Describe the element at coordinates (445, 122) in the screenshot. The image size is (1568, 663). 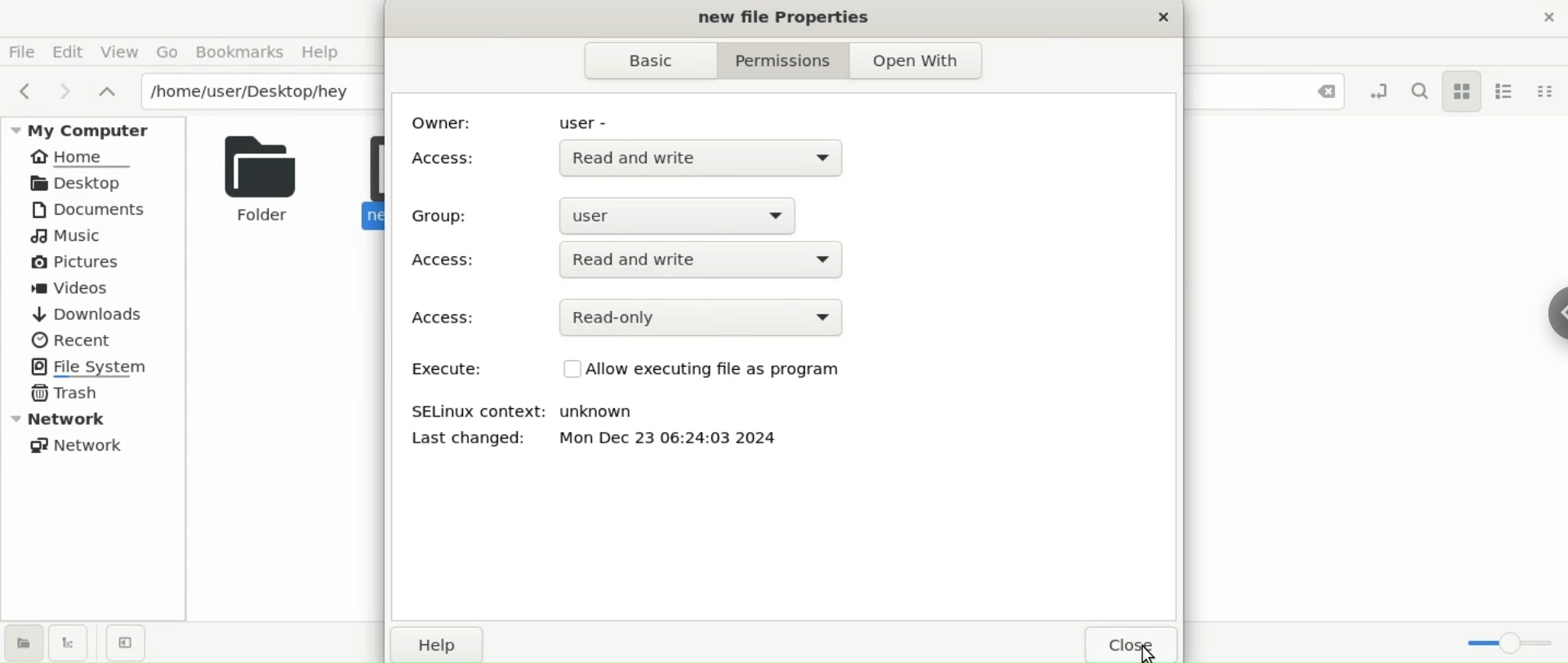
I see `owner:` at that location.